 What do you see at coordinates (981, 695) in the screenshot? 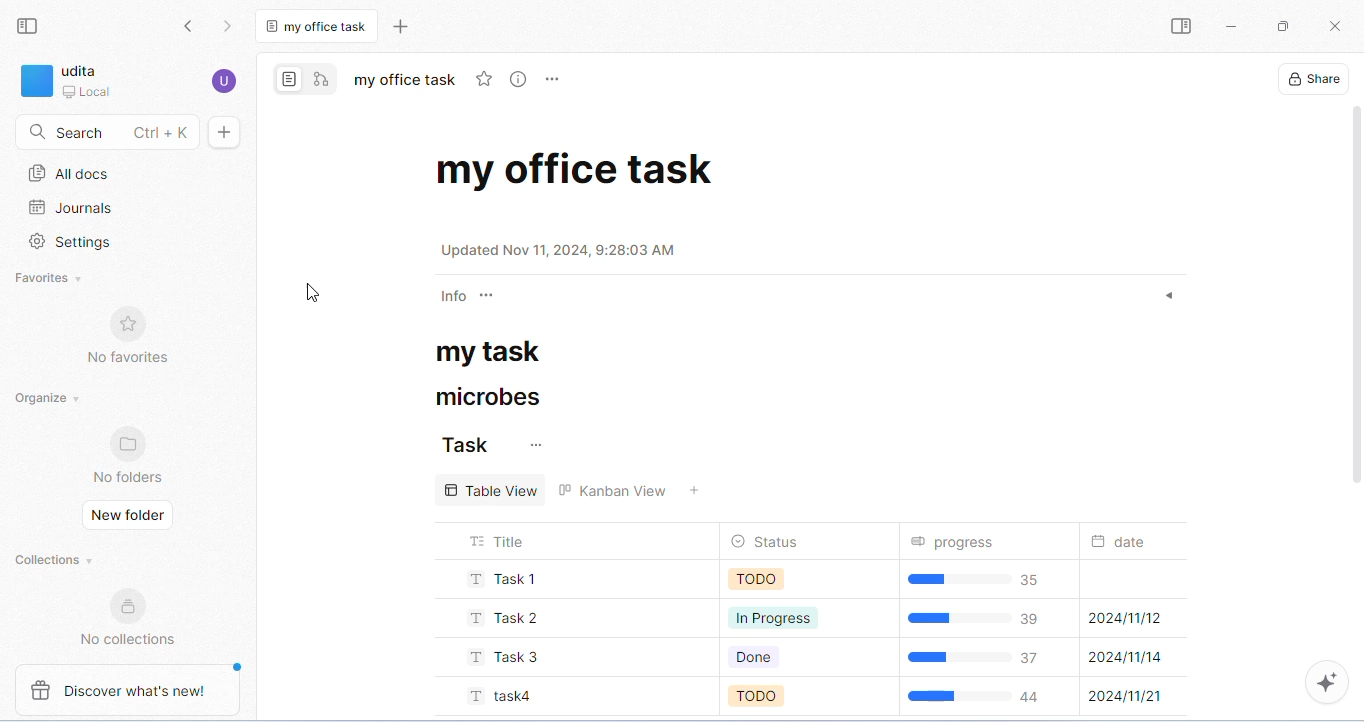
I see `progress 44` at bounding box center [981, 695].